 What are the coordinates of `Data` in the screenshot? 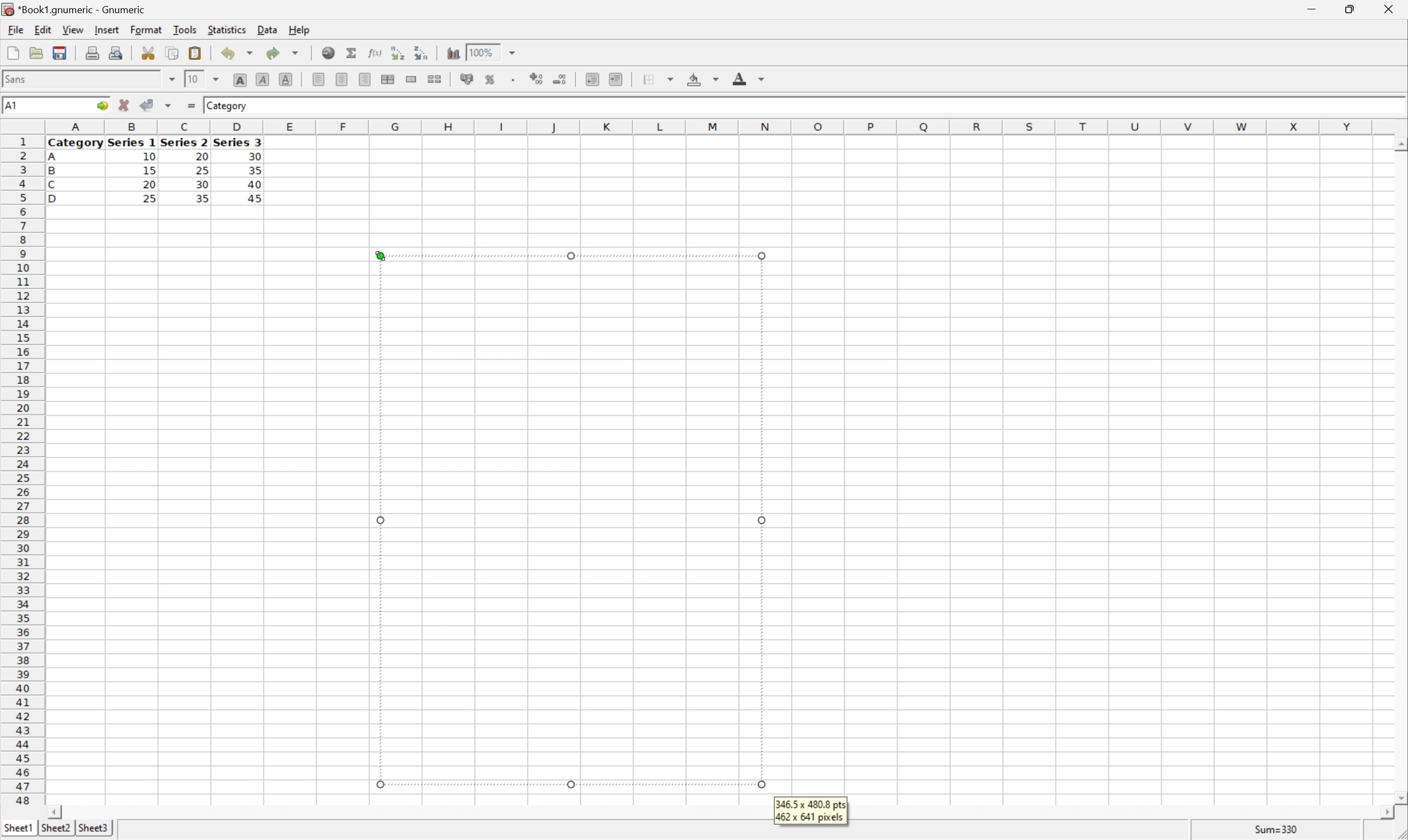 It's located at (268, 28).